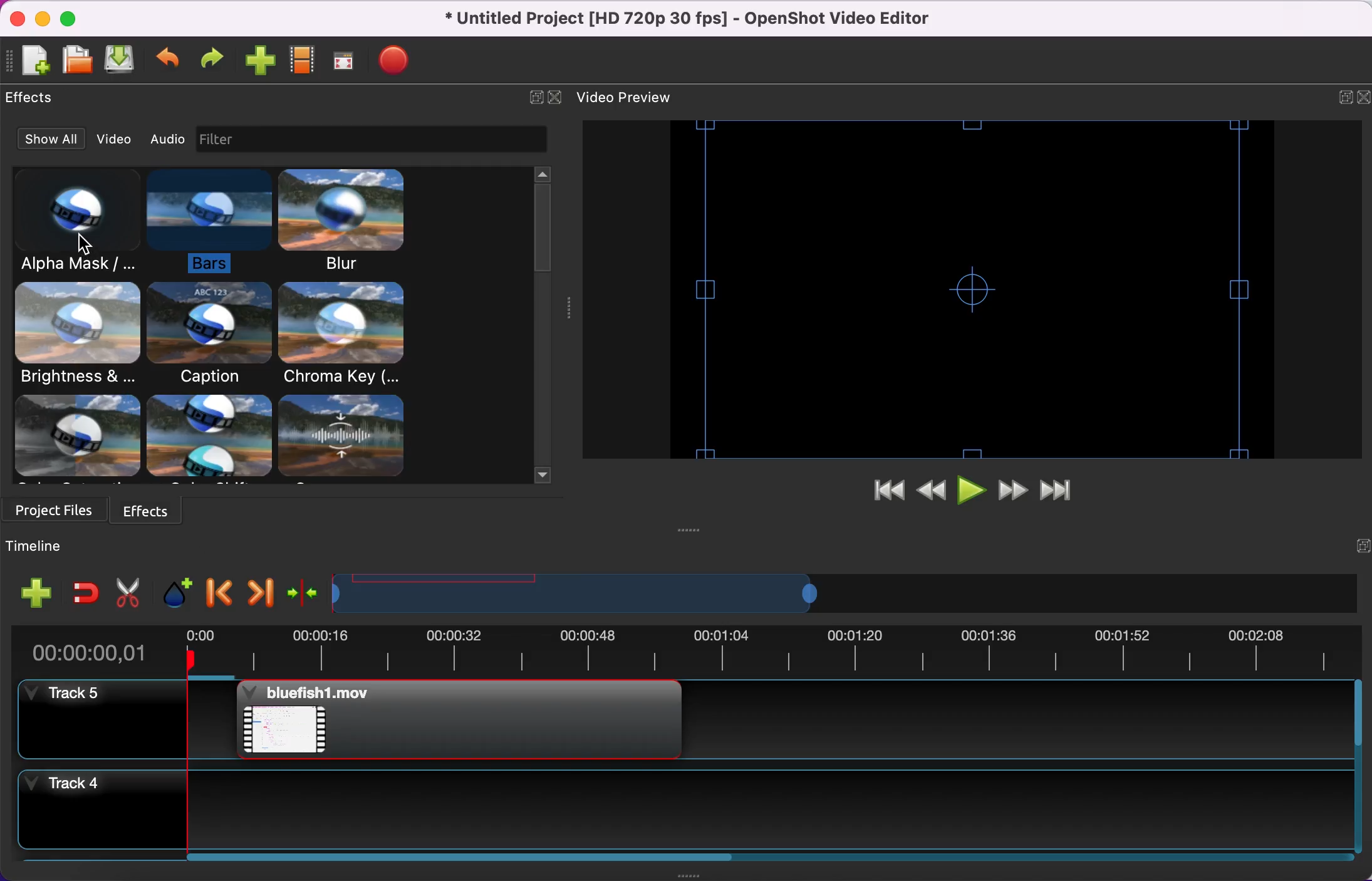  Describe the element at coordinates (211, 63) in the screenshot. I see `redo` at that location.